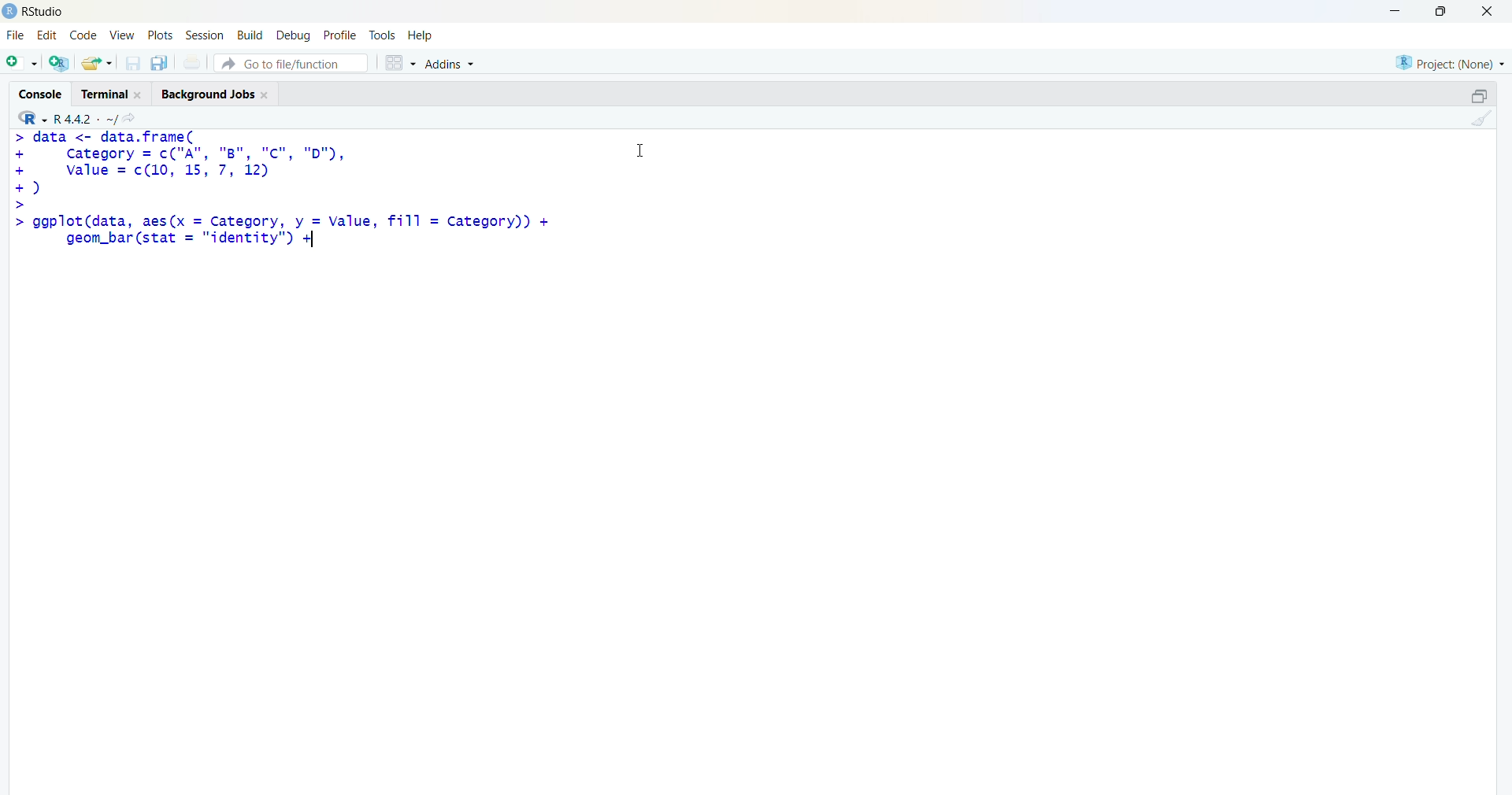  Describe the element at coordinates (85, 117) in the screenshot. I see ` R language version - R 4.4.2` at that location.